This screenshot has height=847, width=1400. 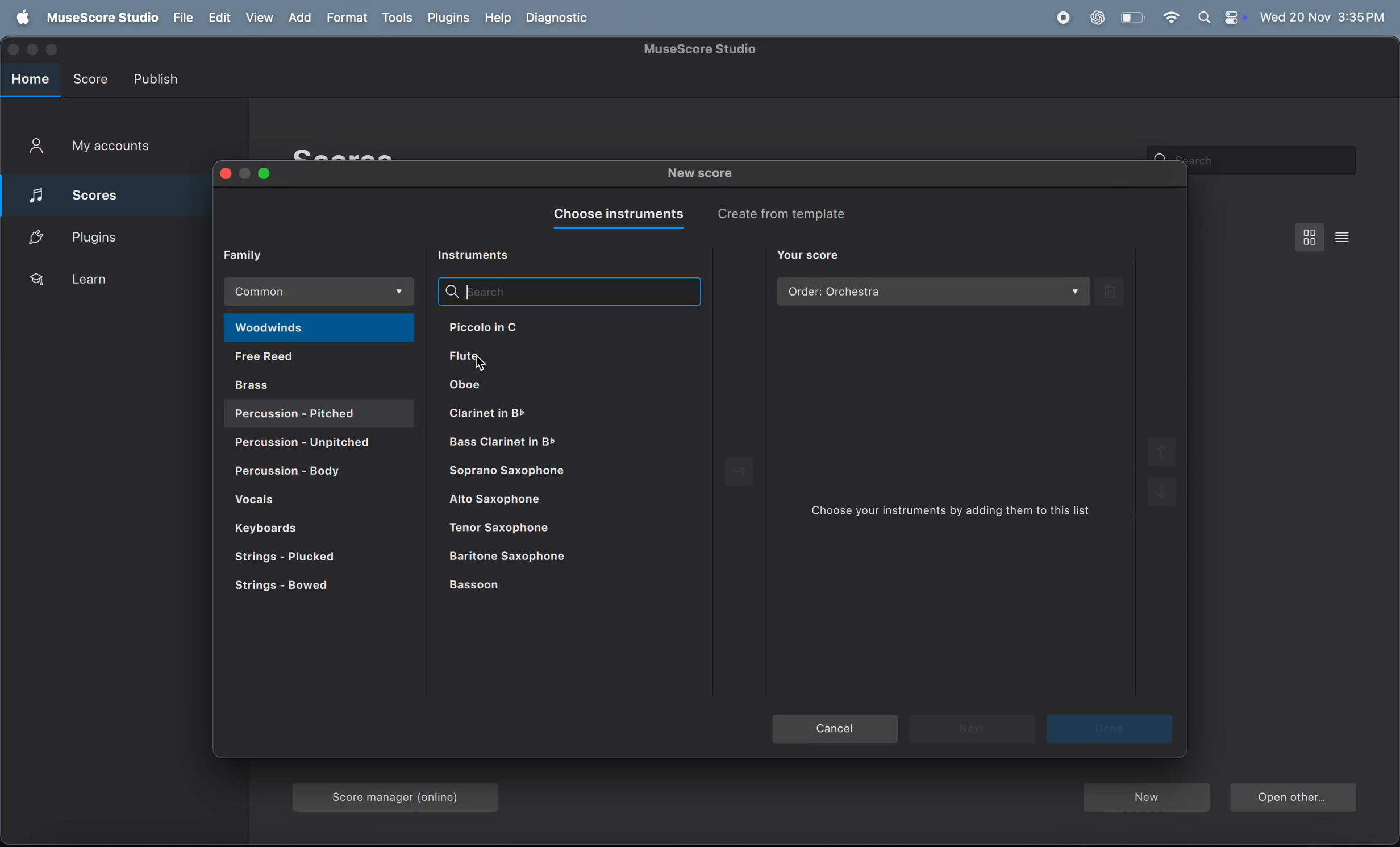 What do you see at coordinates (790, 213) in the screenshot?
I see `create from template` at bounding box center [790, 213].